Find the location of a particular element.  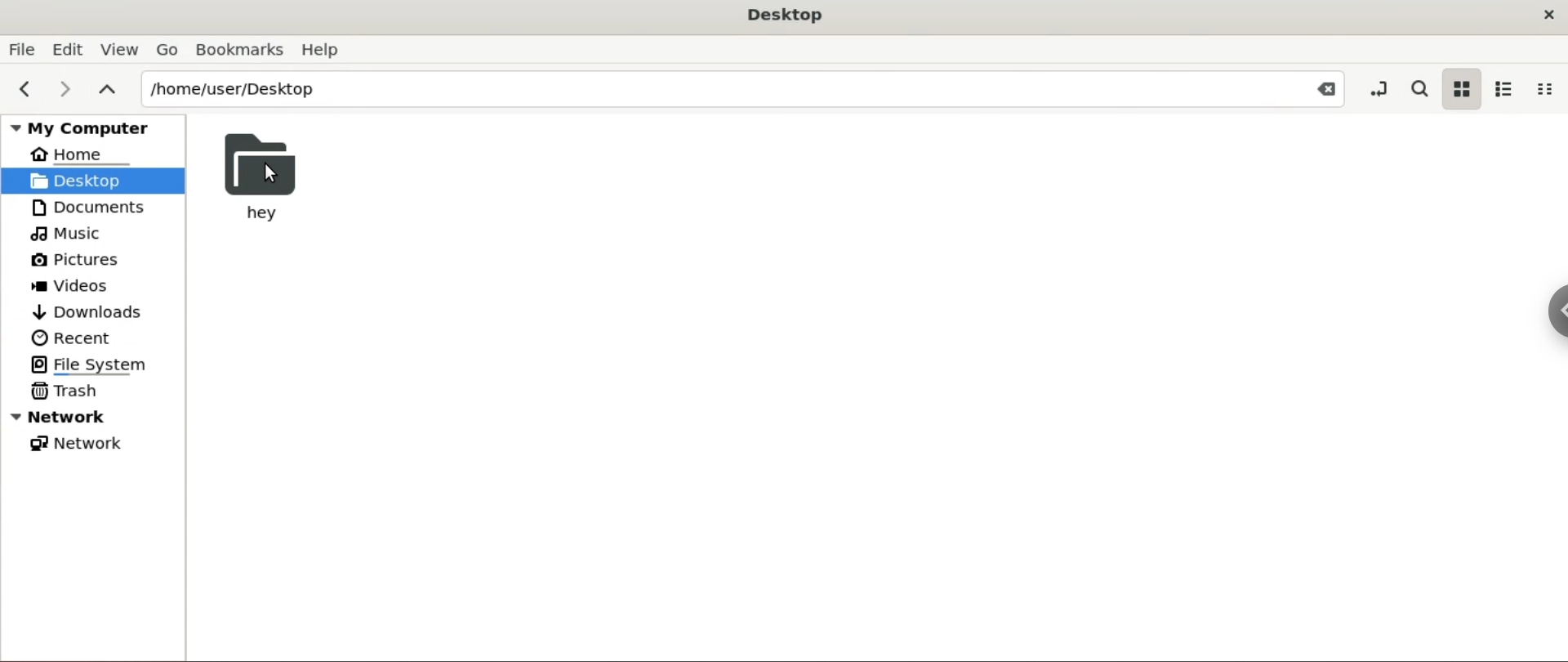

list view is located at coordinates (1504, 88).